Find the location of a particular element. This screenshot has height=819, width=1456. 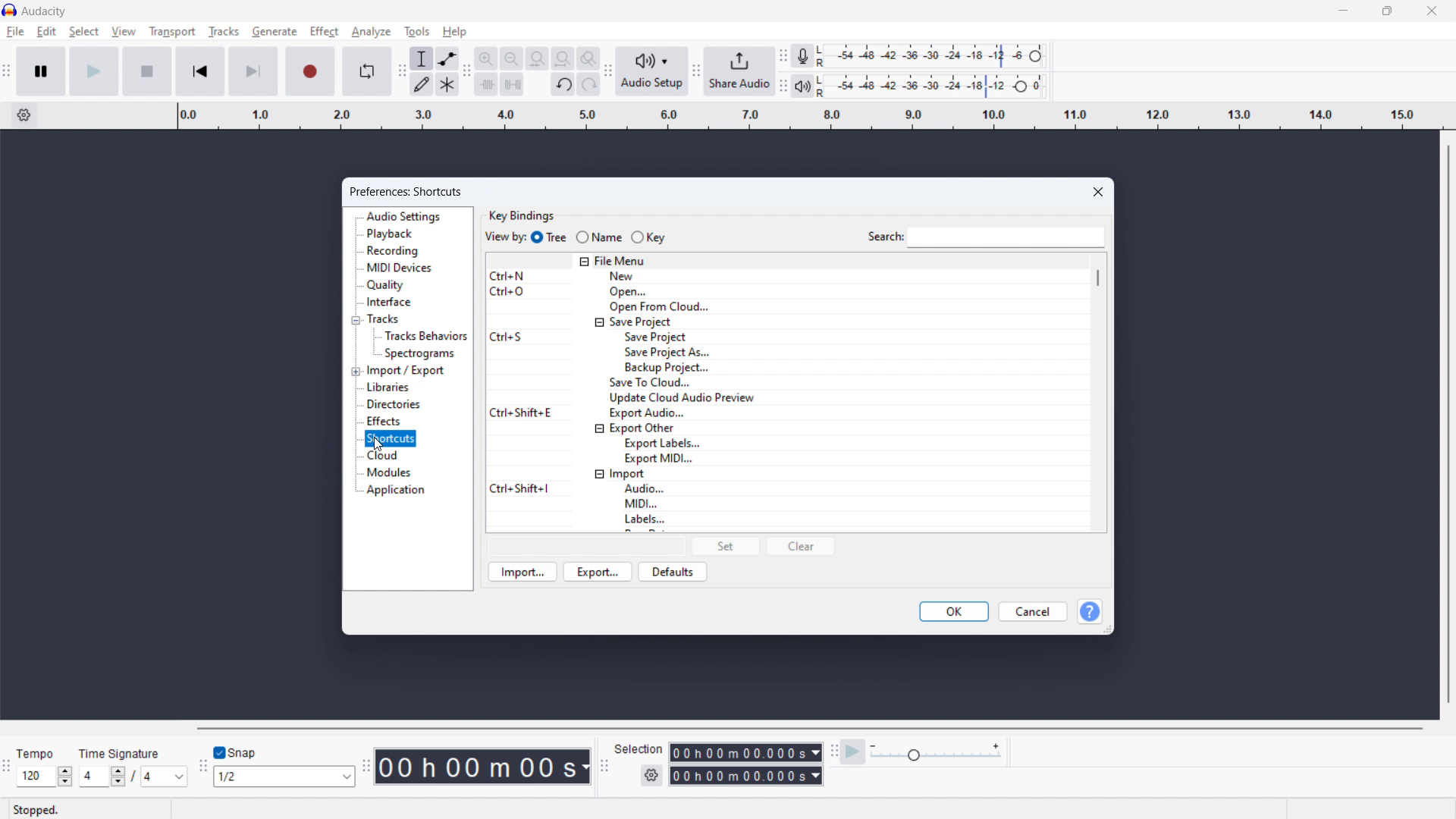

Indicates section for duration of selection is located at coordinates (639, 748).